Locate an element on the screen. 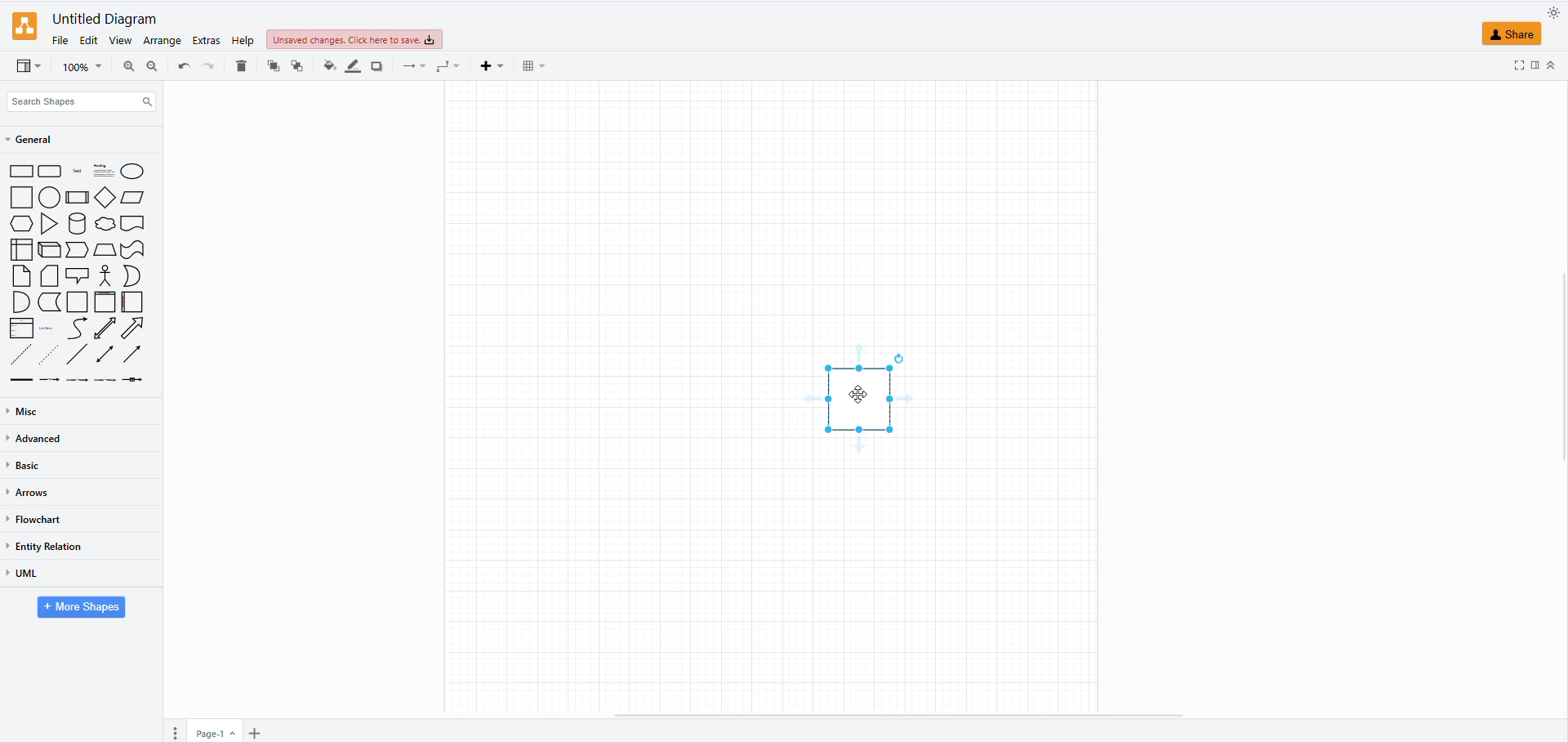  flowchart is located at coordinates (36, 519).